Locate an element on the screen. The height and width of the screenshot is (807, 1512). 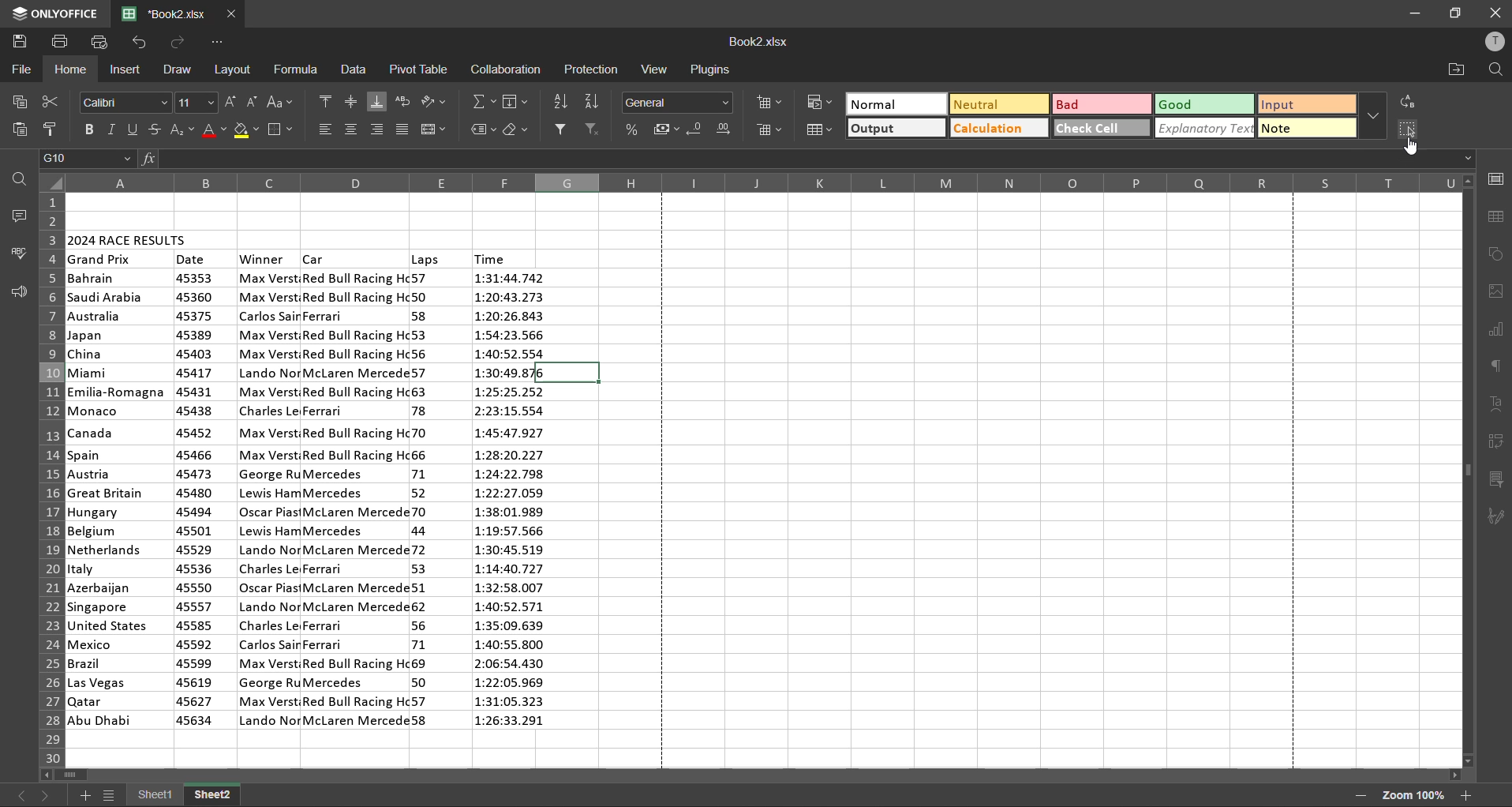
column names is located at coordinates (766, 182).